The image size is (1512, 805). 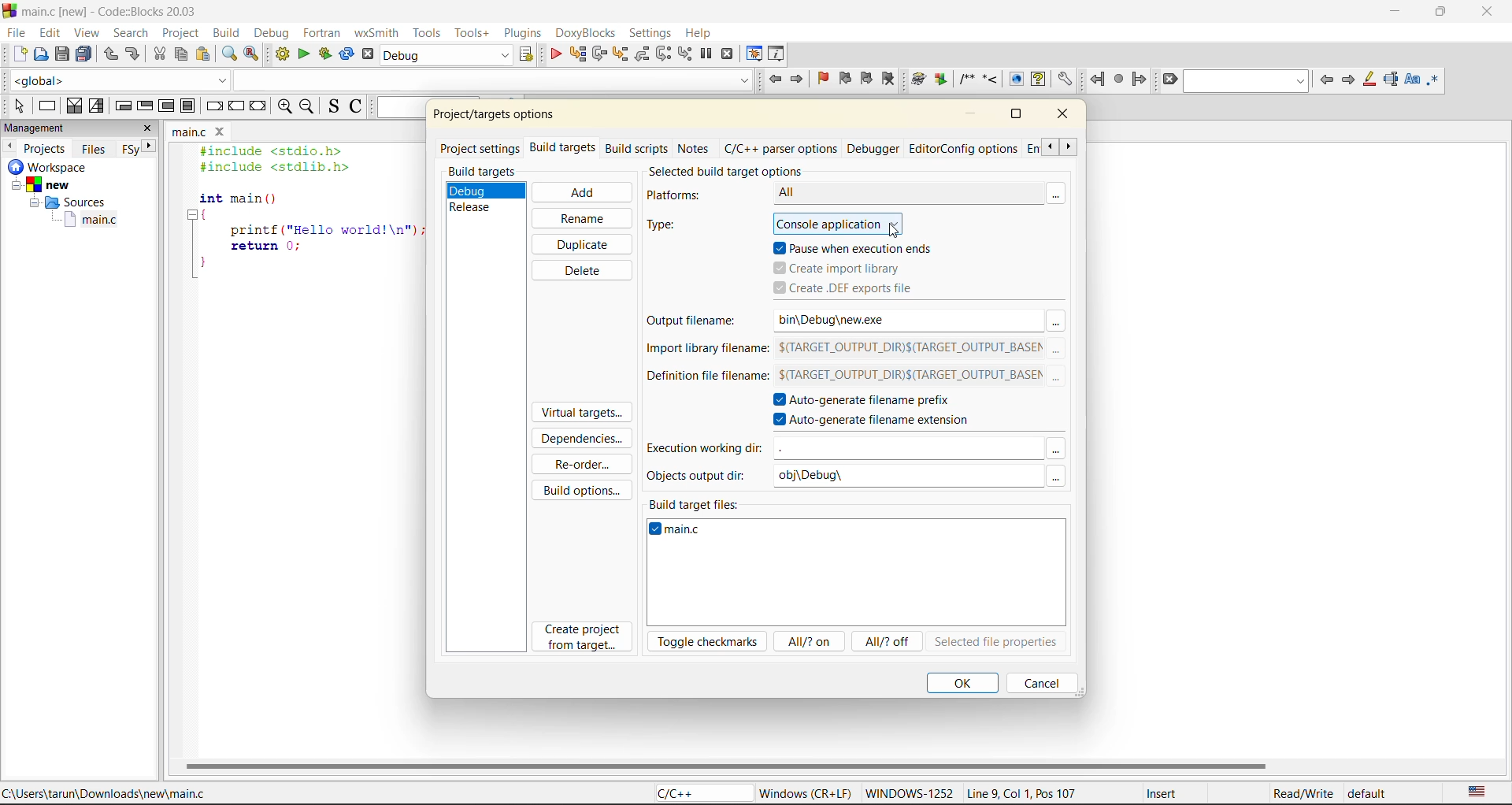 I want to click on plugins, so click(x=524, y=33).